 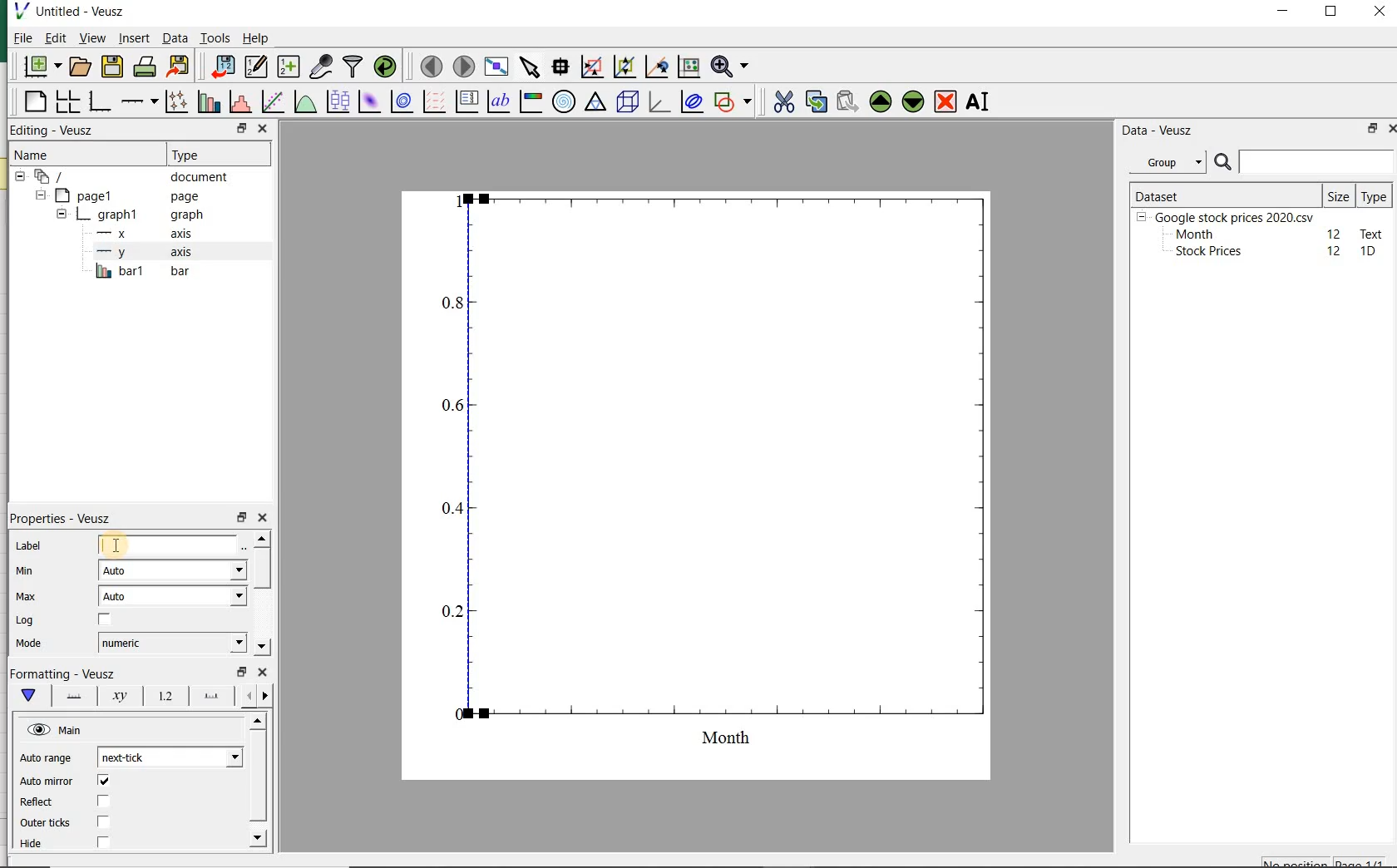 What do you see at coordinates (42, 67) in the screenshot?
I see `new document` at bounding box center [42, 67].